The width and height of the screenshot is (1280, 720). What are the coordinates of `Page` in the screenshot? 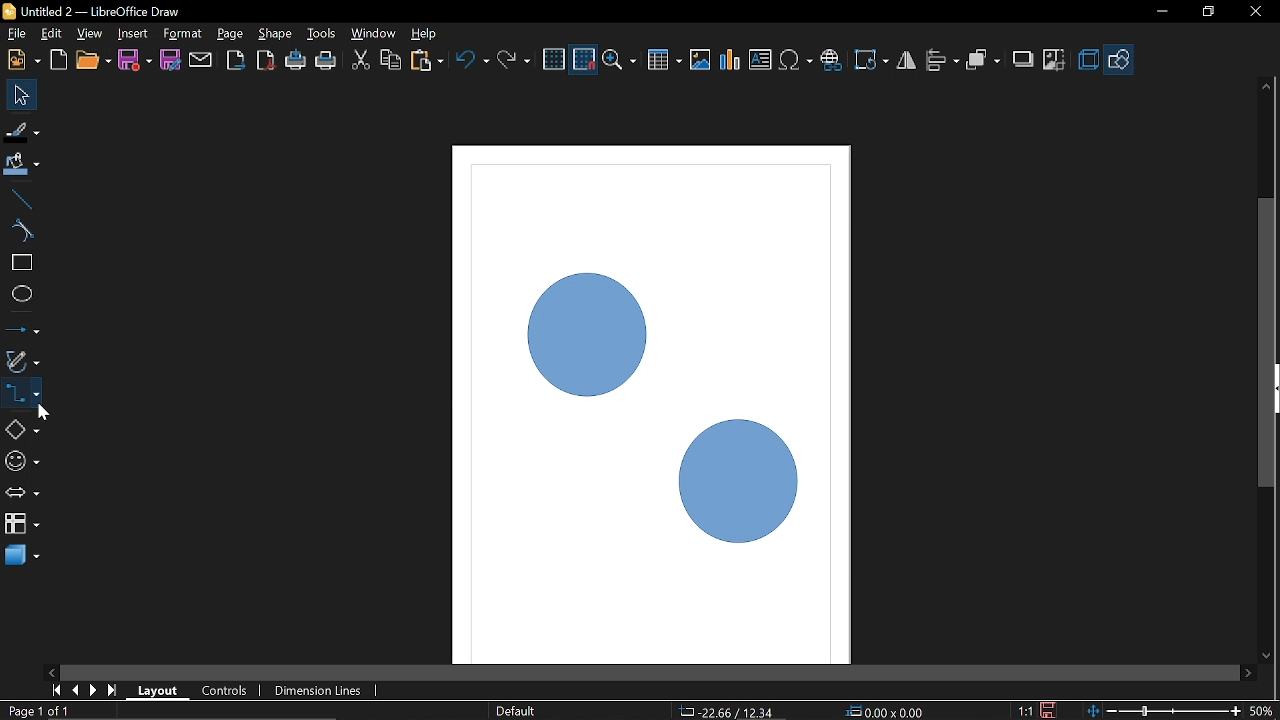 It's located at (232, 35).